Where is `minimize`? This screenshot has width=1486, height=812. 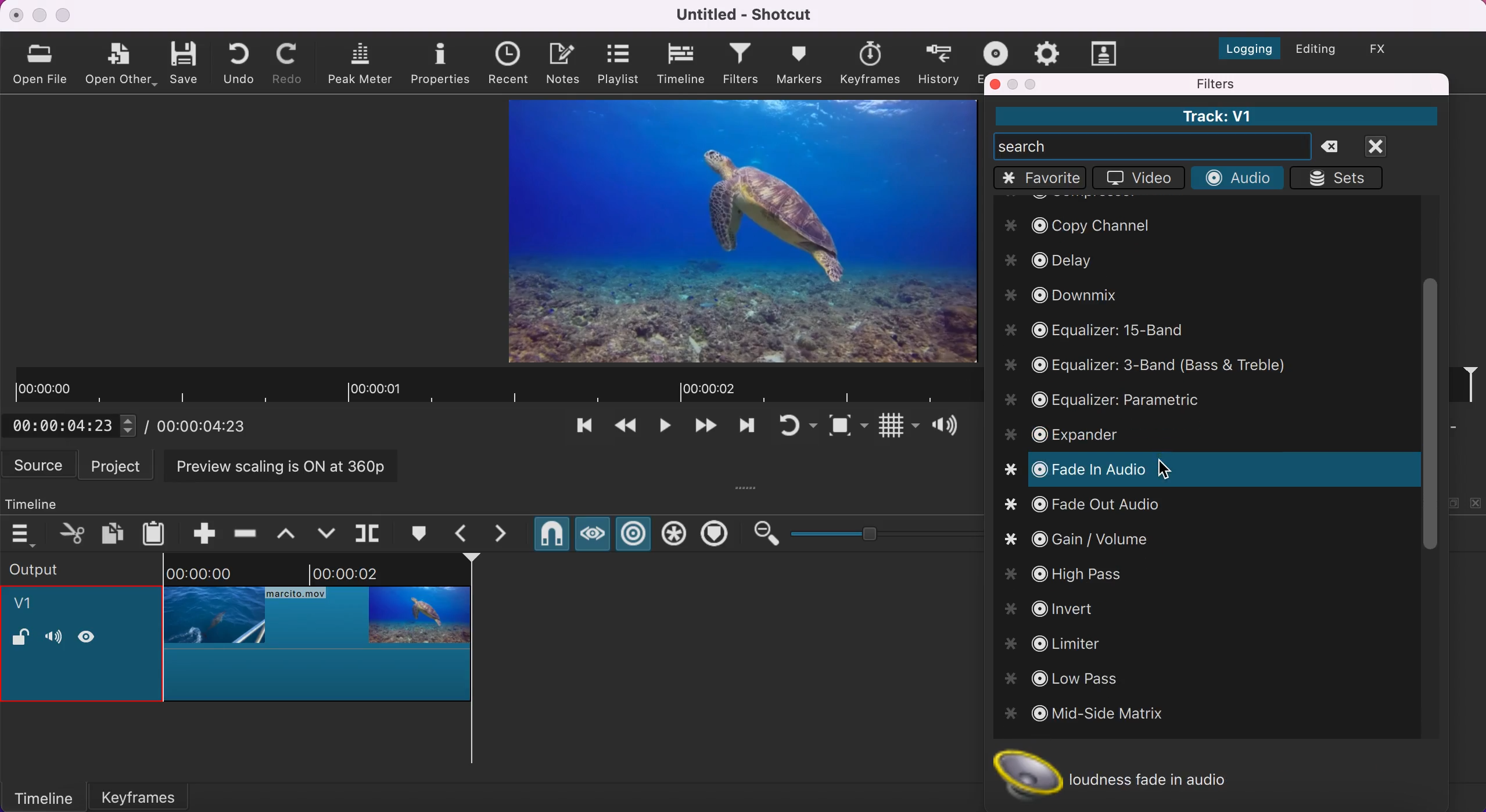
minimize is located at coordinates (39, 15).